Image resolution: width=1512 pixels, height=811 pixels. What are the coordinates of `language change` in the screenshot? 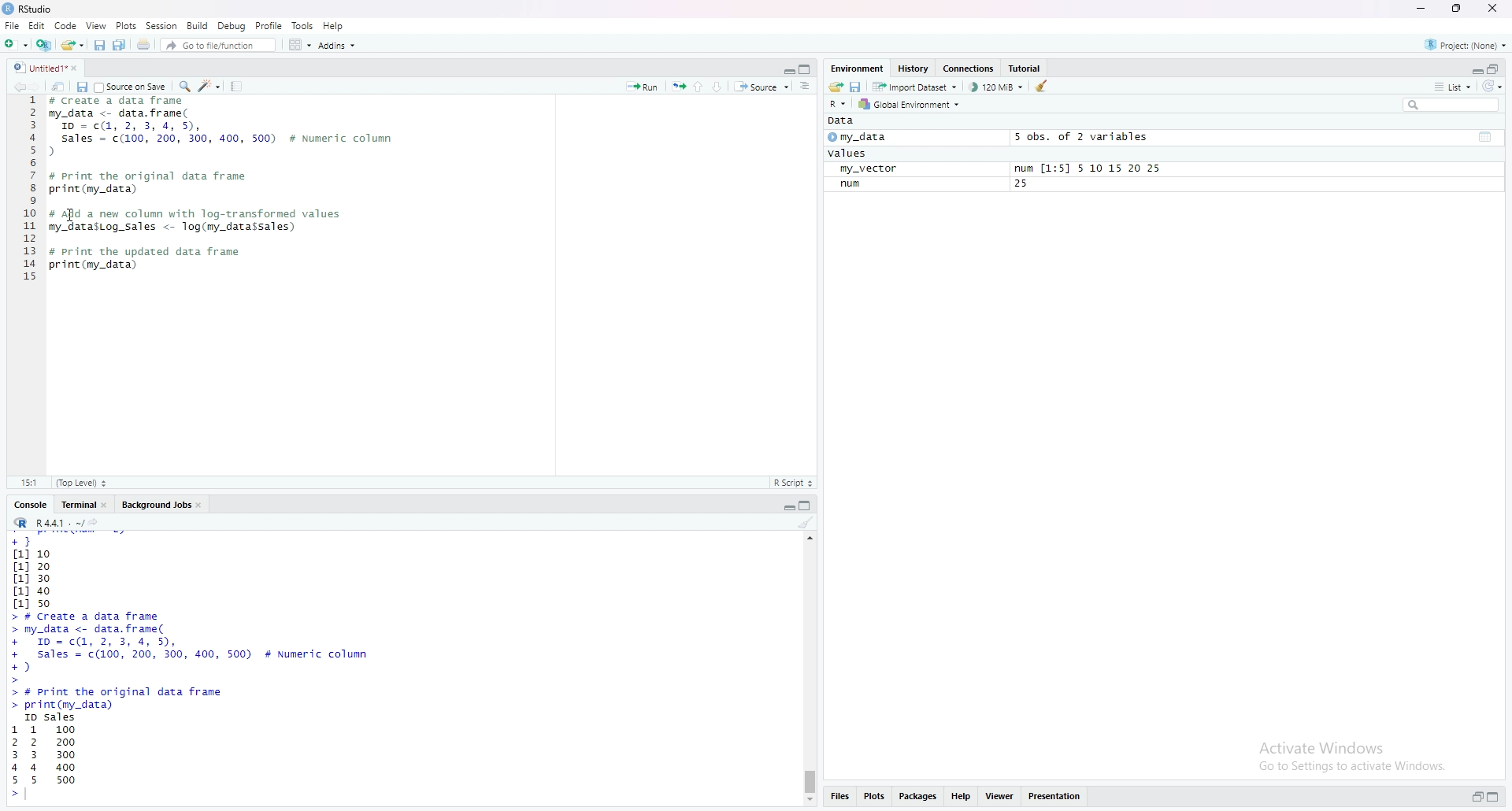 It's located at (838, 104).